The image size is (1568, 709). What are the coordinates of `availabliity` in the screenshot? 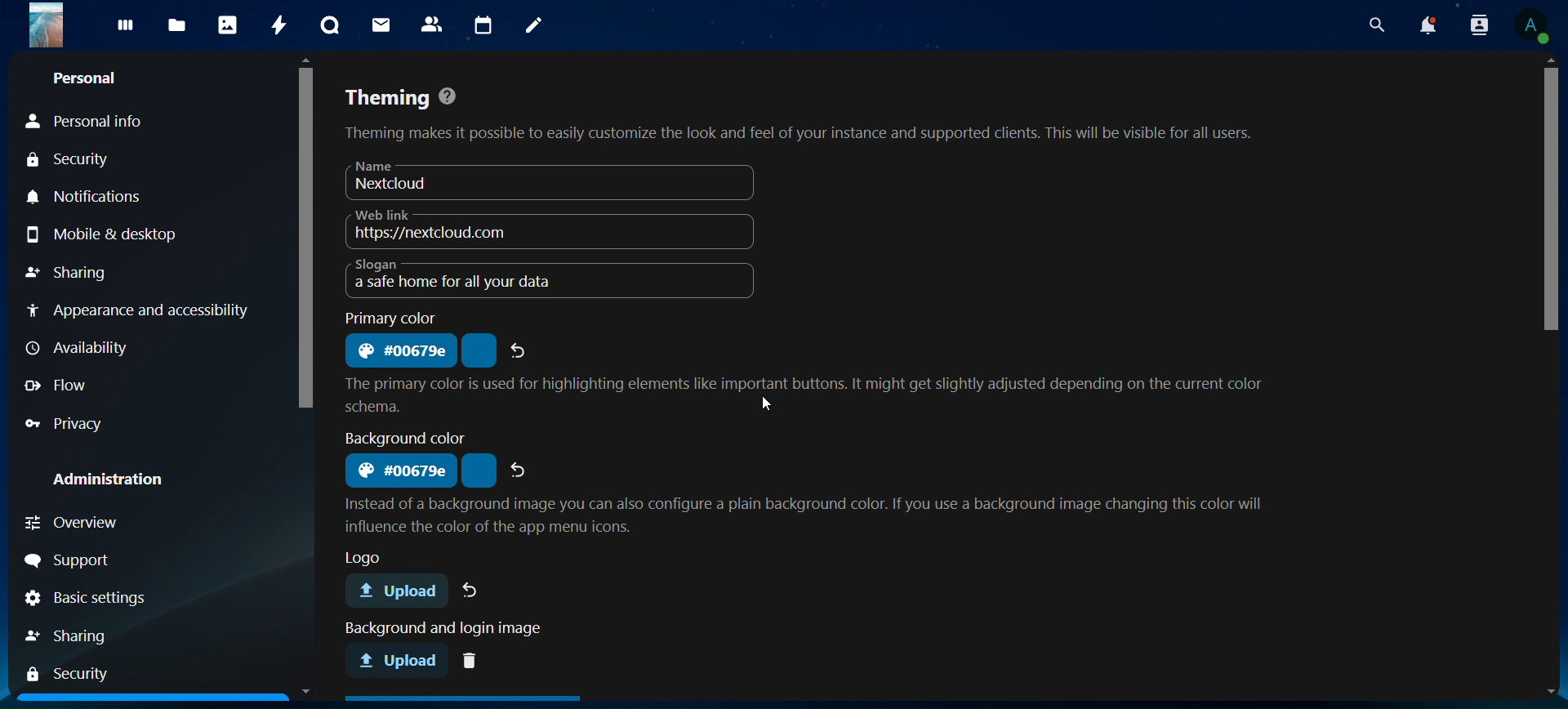 It's located at (125, 350).